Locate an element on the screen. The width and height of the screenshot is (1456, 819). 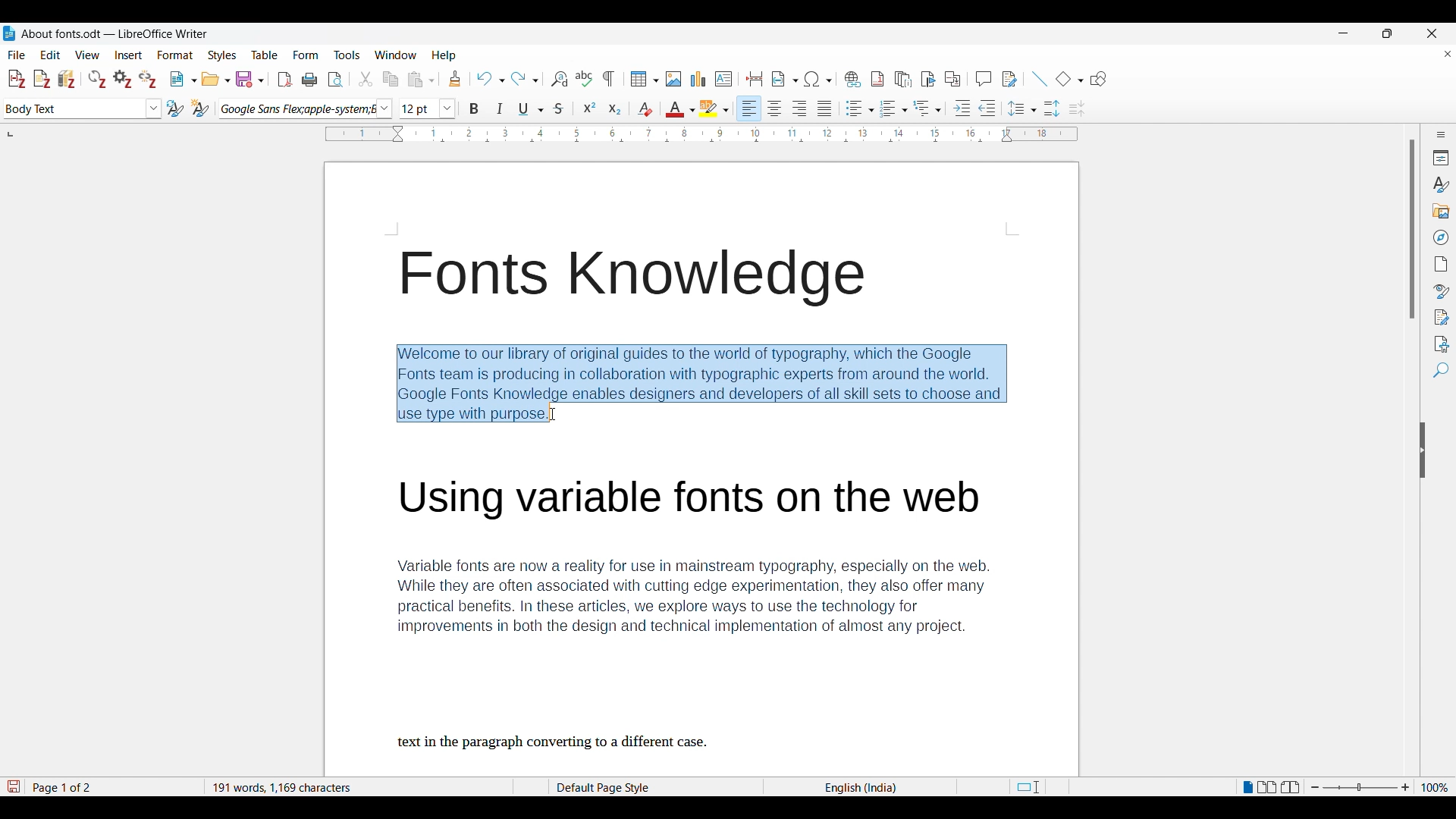
Open options is located at coordinates (215, 79).